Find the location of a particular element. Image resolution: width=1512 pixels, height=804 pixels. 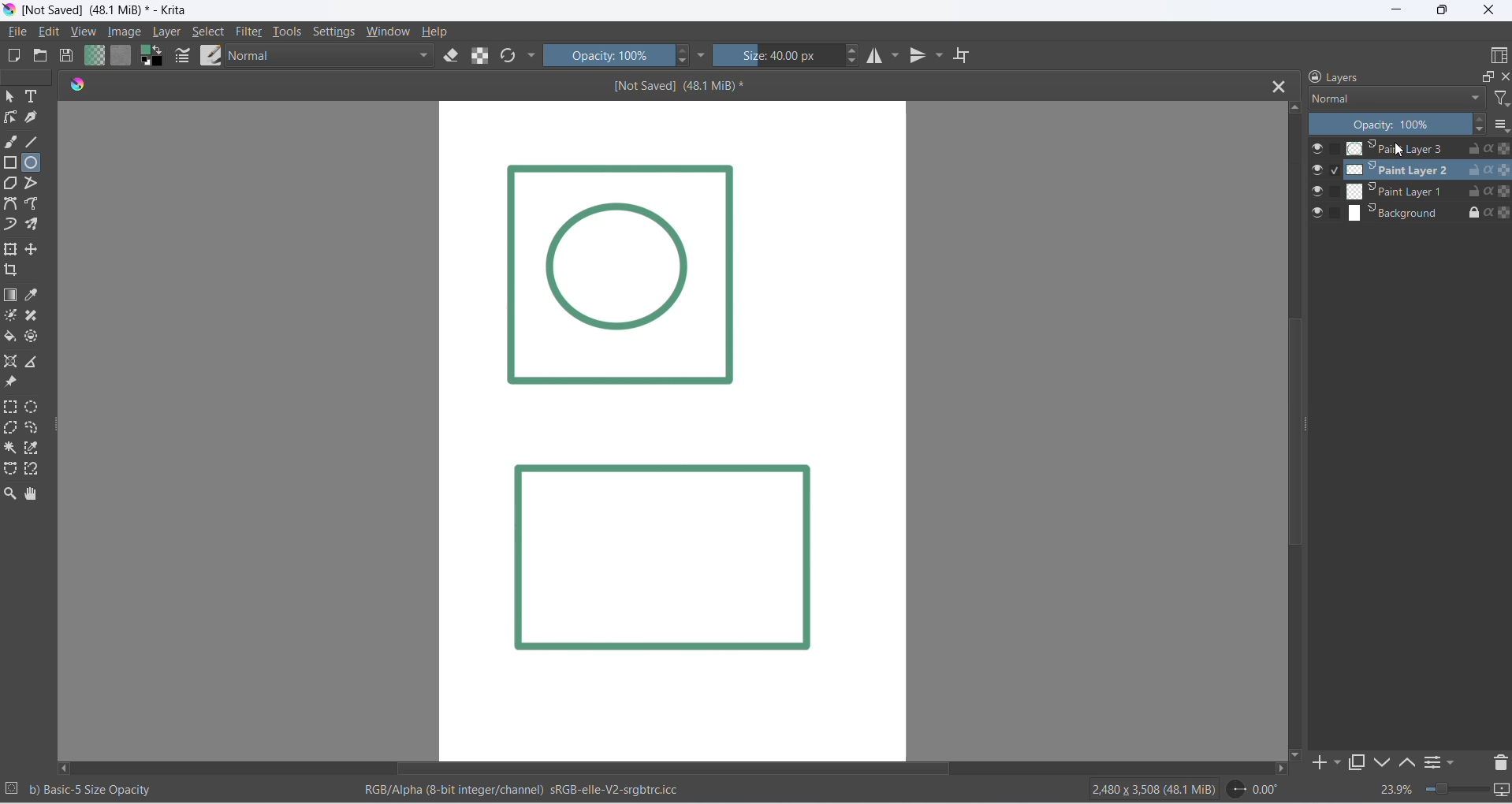

paint layer 2 is located at coordinates (1397, 192).